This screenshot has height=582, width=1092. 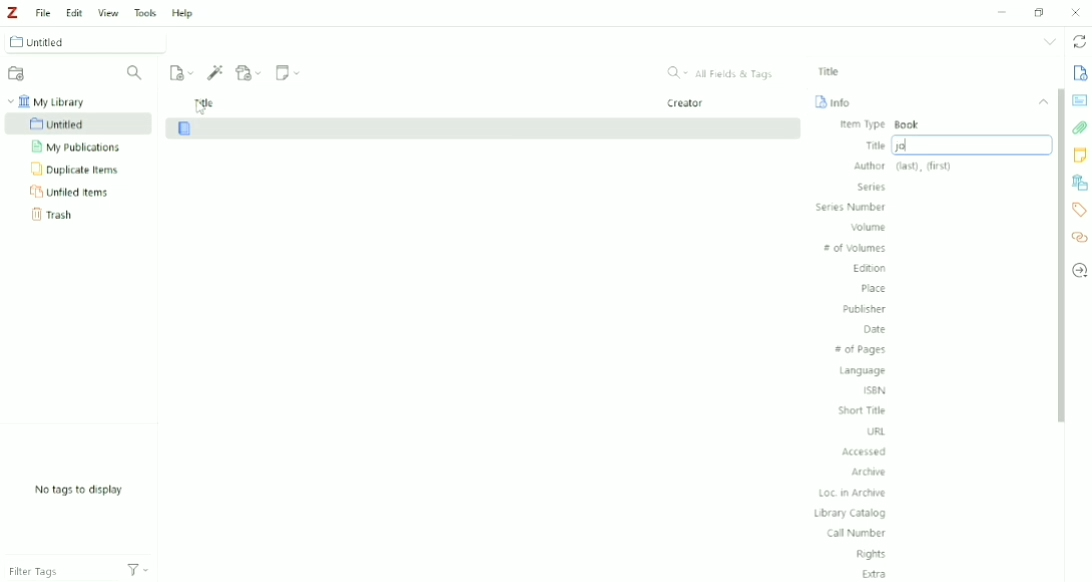 I want to click on Item Type, so click(x=881, y=125).